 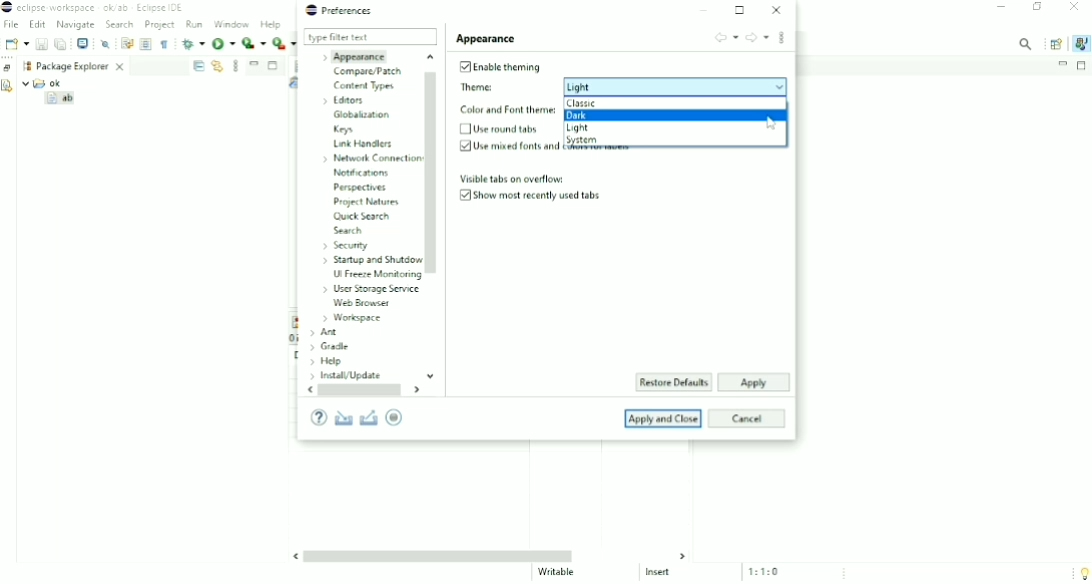 I want to click on Run, so click(x=223, y=45).